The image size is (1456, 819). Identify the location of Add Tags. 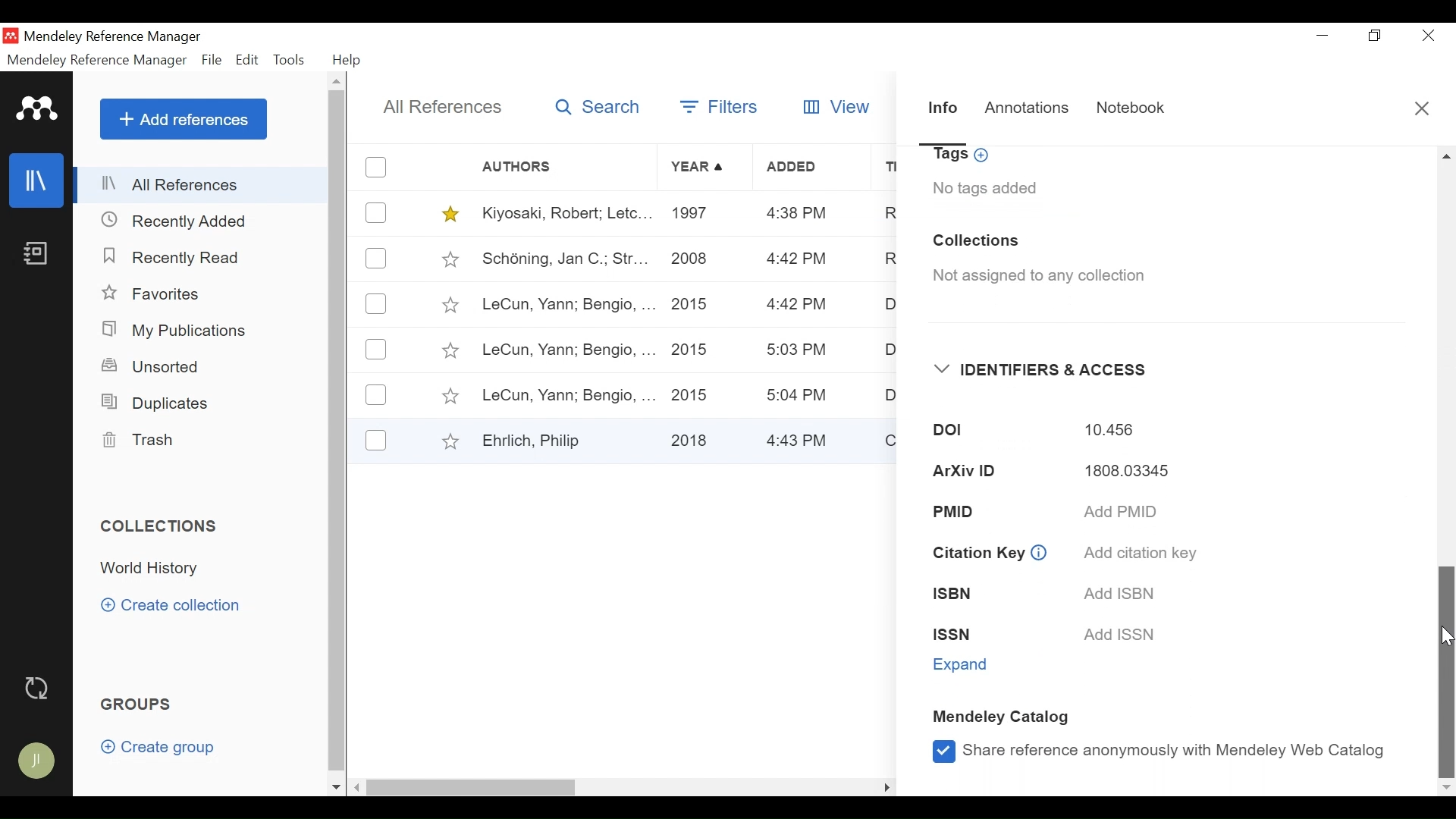
(963, 156).